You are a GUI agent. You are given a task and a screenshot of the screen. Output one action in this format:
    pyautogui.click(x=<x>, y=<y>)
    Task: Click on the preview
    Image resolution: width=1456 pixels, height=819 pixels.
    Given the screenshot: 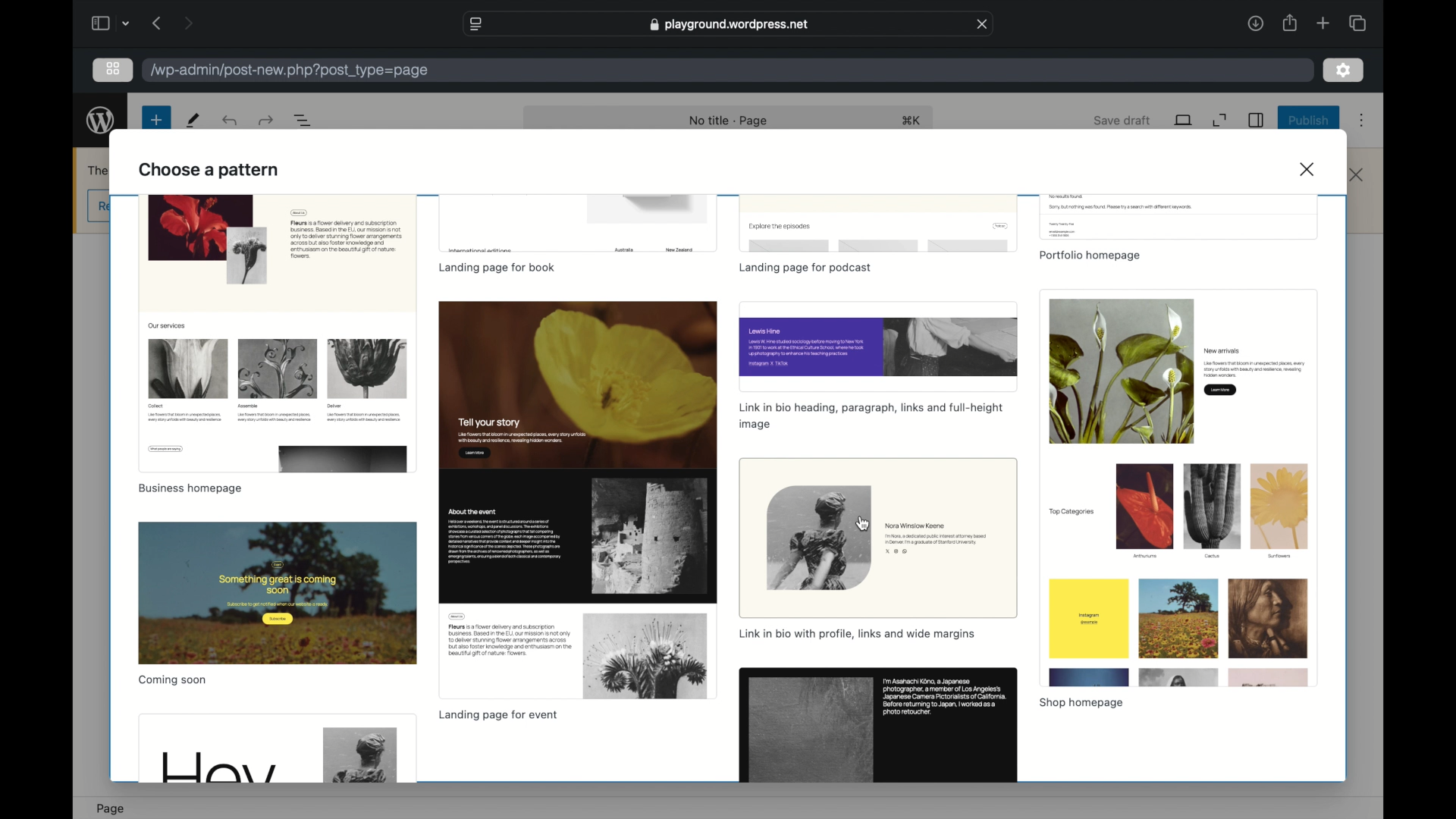 What is the action you would take?
    pyautogui.click(x=877, y=726)
    